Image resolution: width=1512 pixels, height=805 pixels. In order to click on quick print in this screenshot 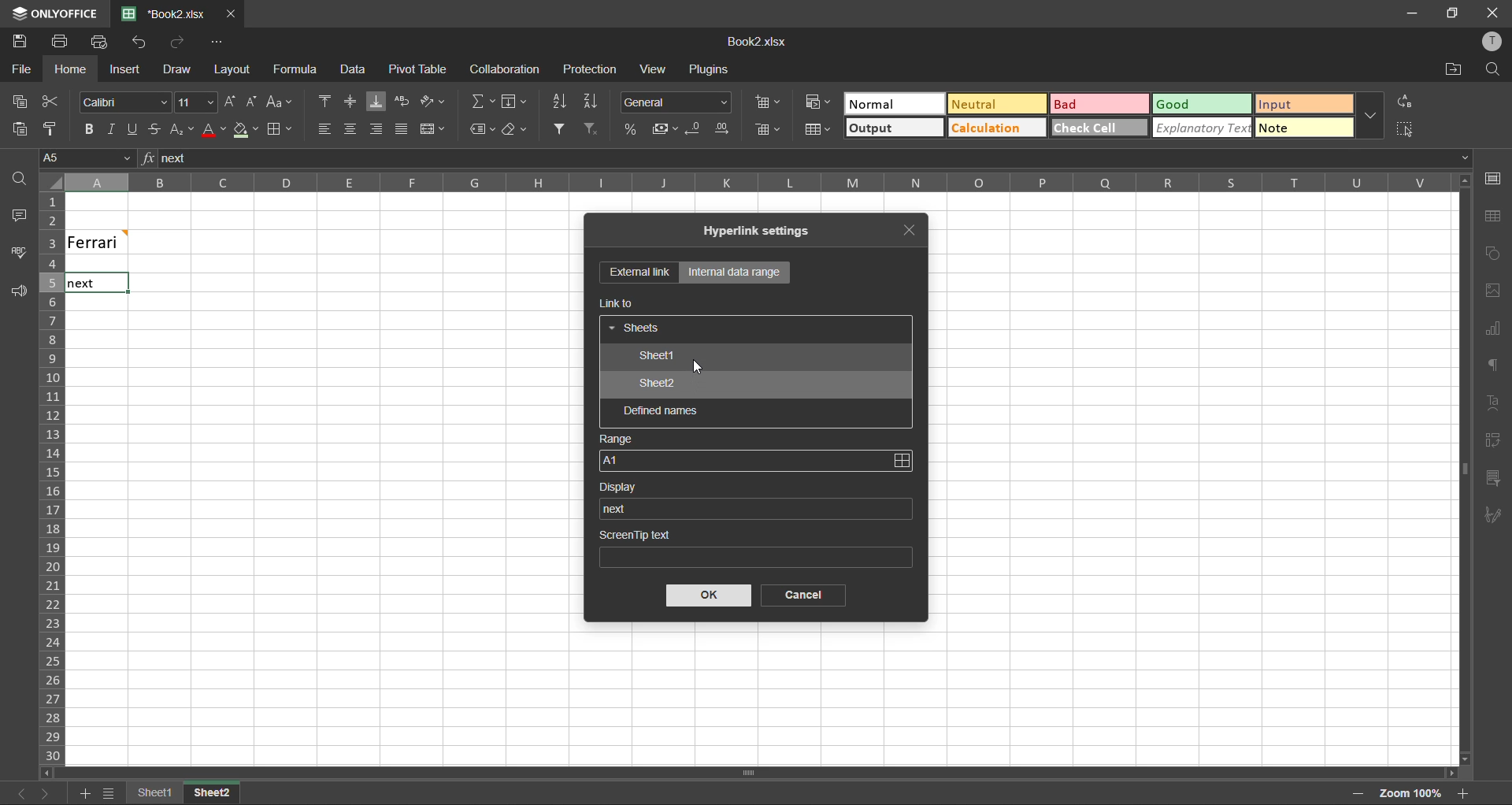, I will do `click(99, 41)`.